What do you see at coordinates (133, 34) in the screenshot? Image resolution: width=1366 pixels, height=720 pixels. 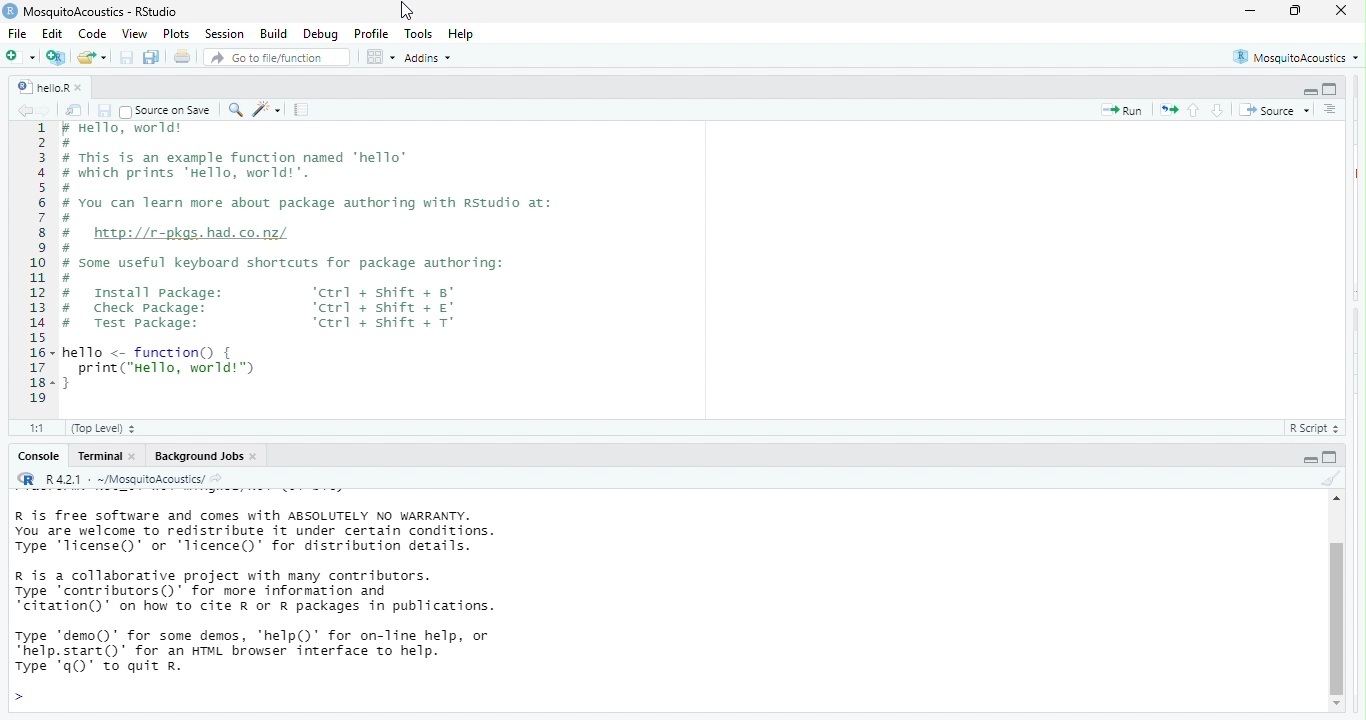 I see `View` at bounding box center [133, 34].